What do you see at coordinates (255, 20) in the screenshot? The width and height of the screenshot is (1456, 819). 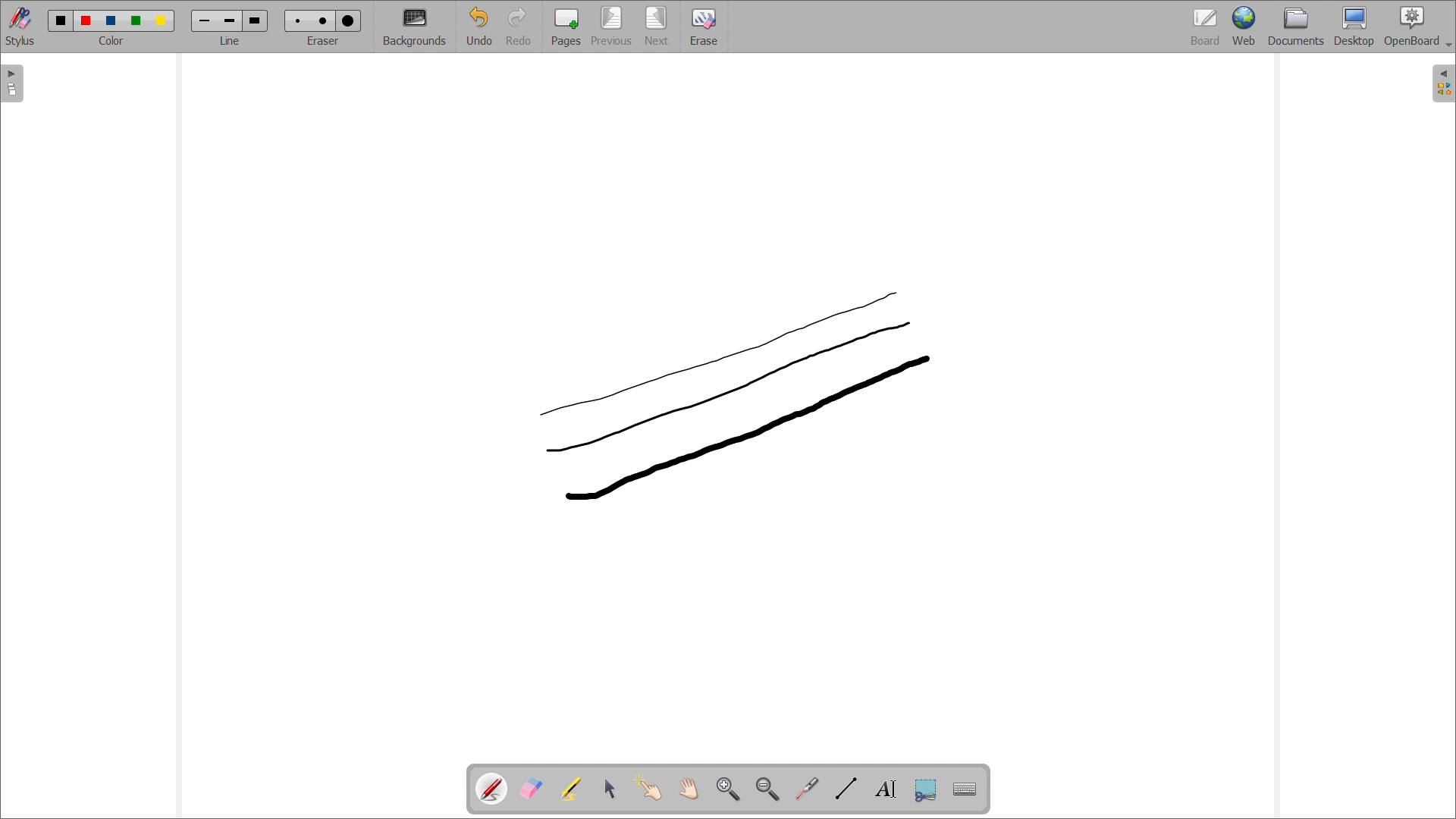 I see `line width size` at bounding box center [255, 20].